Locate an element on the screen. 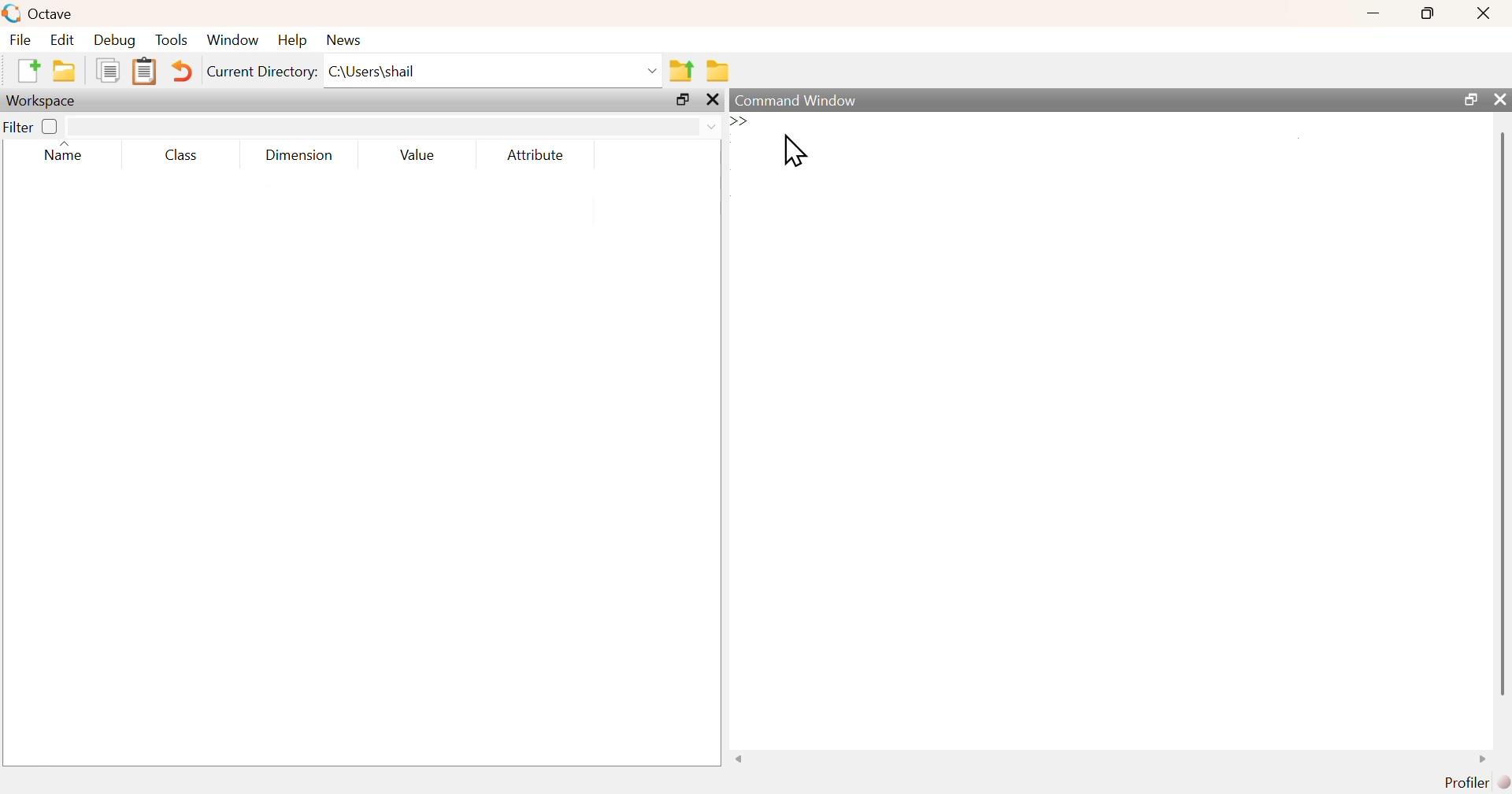 This screenshot has height=794, width=1512. cursor is located at coordinates (794, 151).